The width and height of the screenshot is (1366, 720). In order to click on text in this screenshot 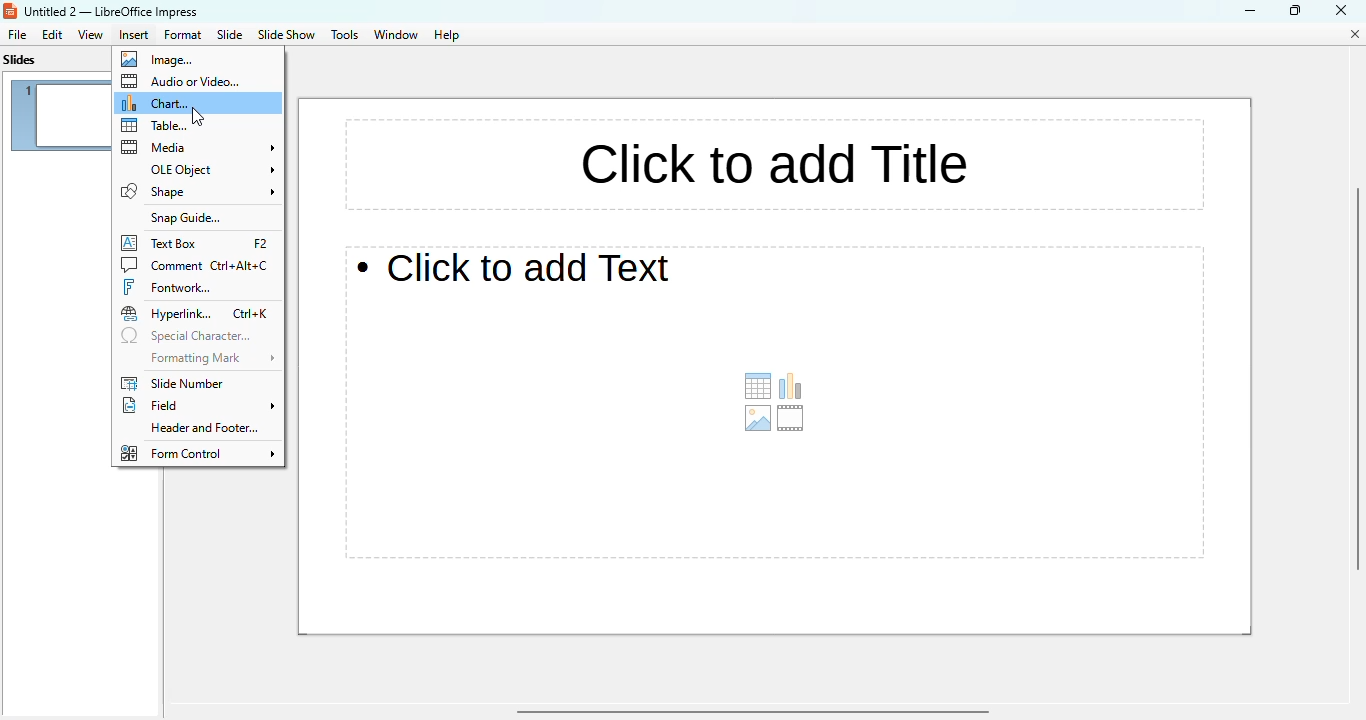, I will do `click(516, 266)`.